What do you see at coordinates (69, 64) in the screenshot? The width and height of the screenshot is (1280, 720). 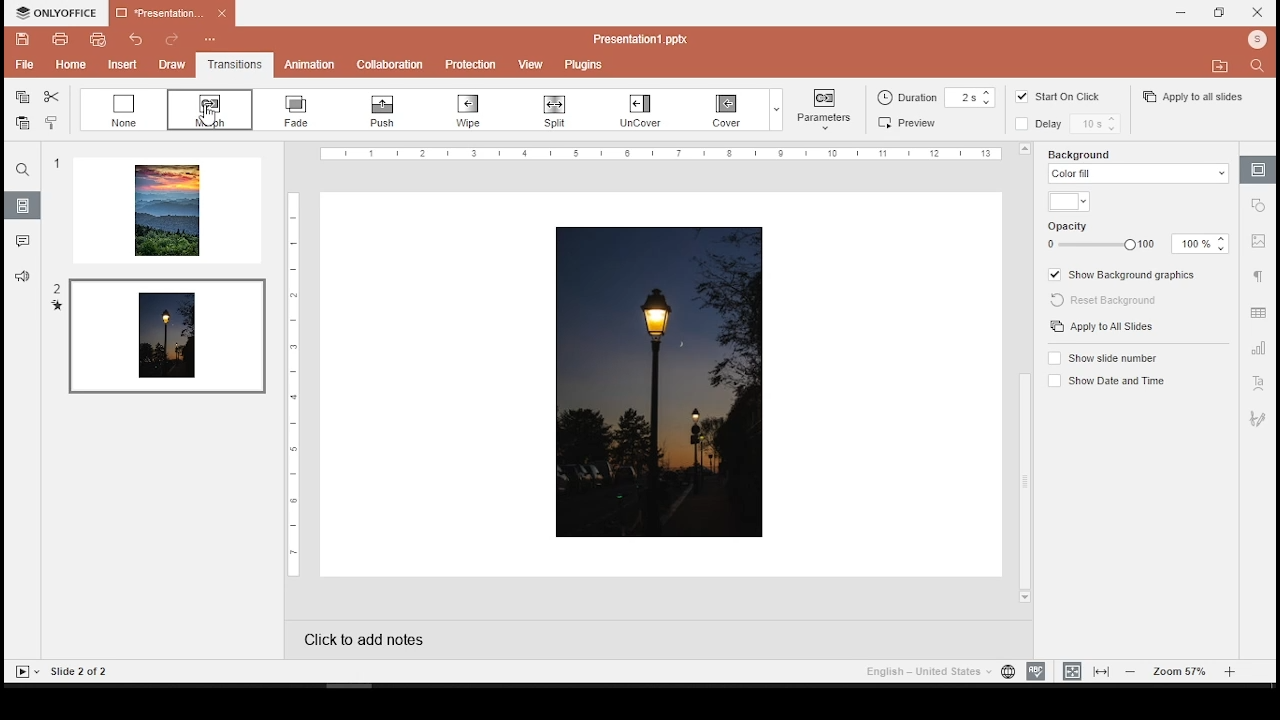 I see `quick print` at bounding box center [69, 64].